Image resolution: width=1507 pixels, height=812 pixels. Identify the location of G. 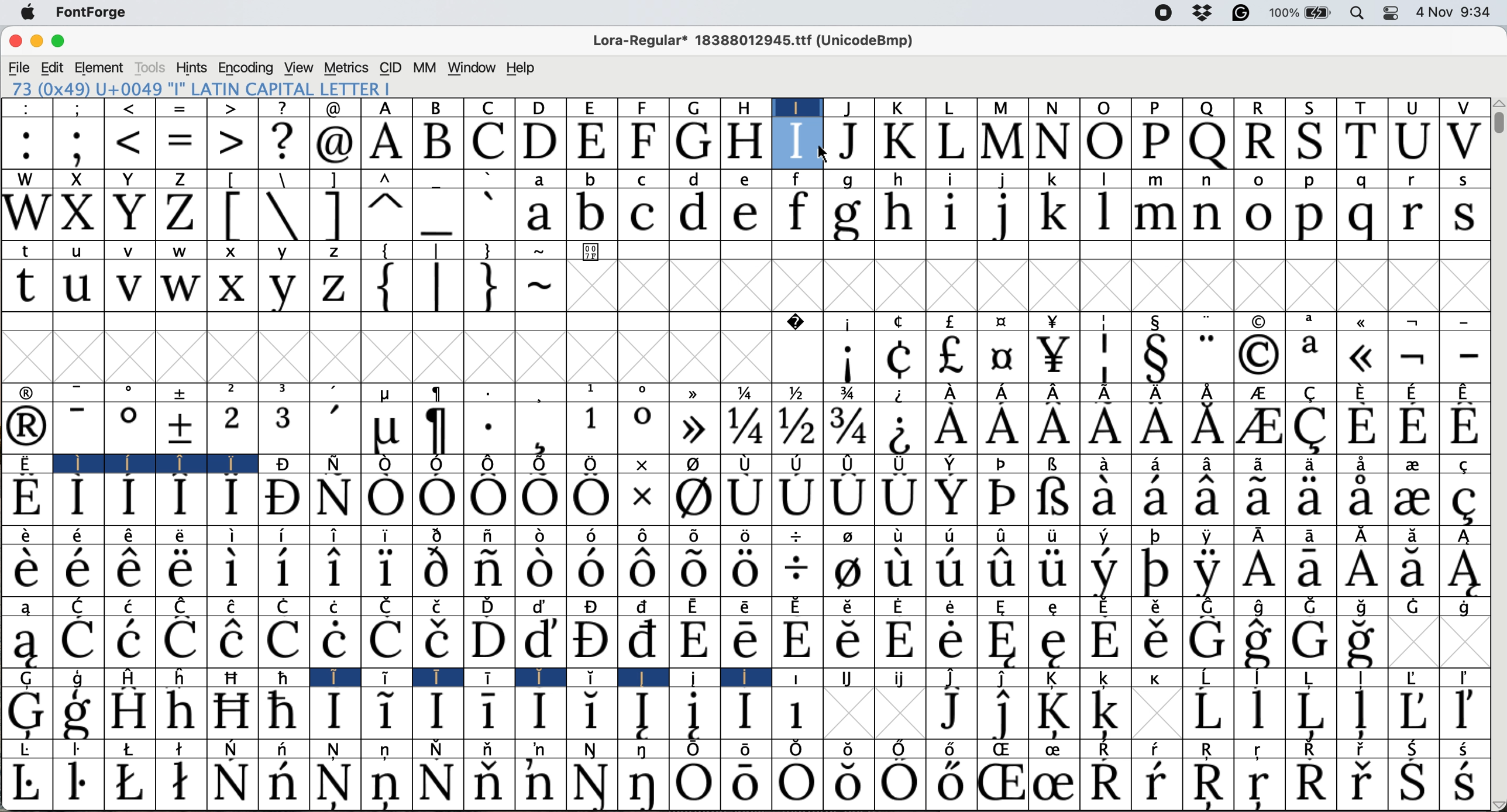
(696, 141).